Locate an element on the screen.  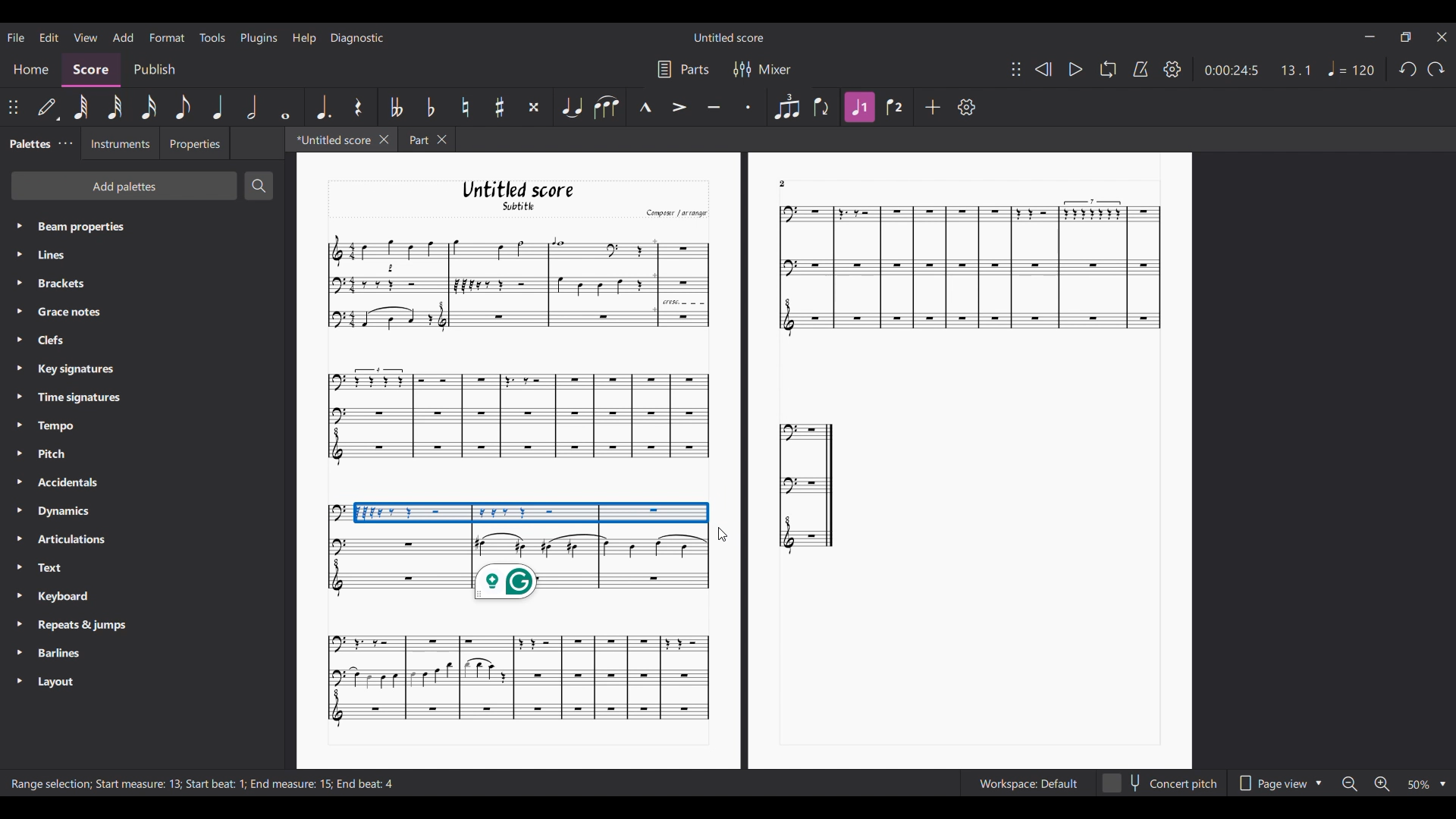
Show in smaller tab is located at coordinates (1405, 37).